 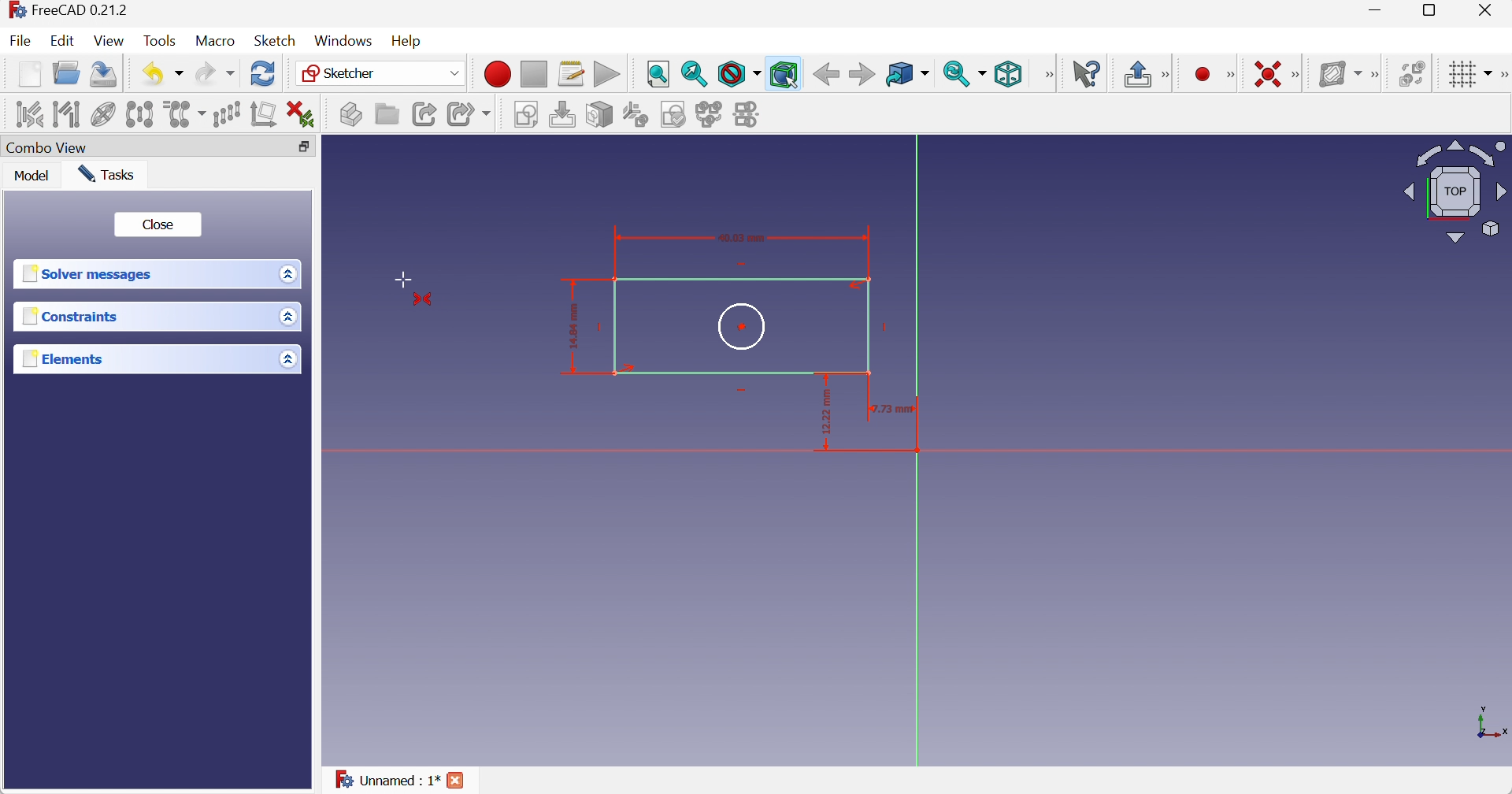 What do you see at coordinates (457, 781) in the screenshot?
I see `Close` at bounding box center [457, 781].